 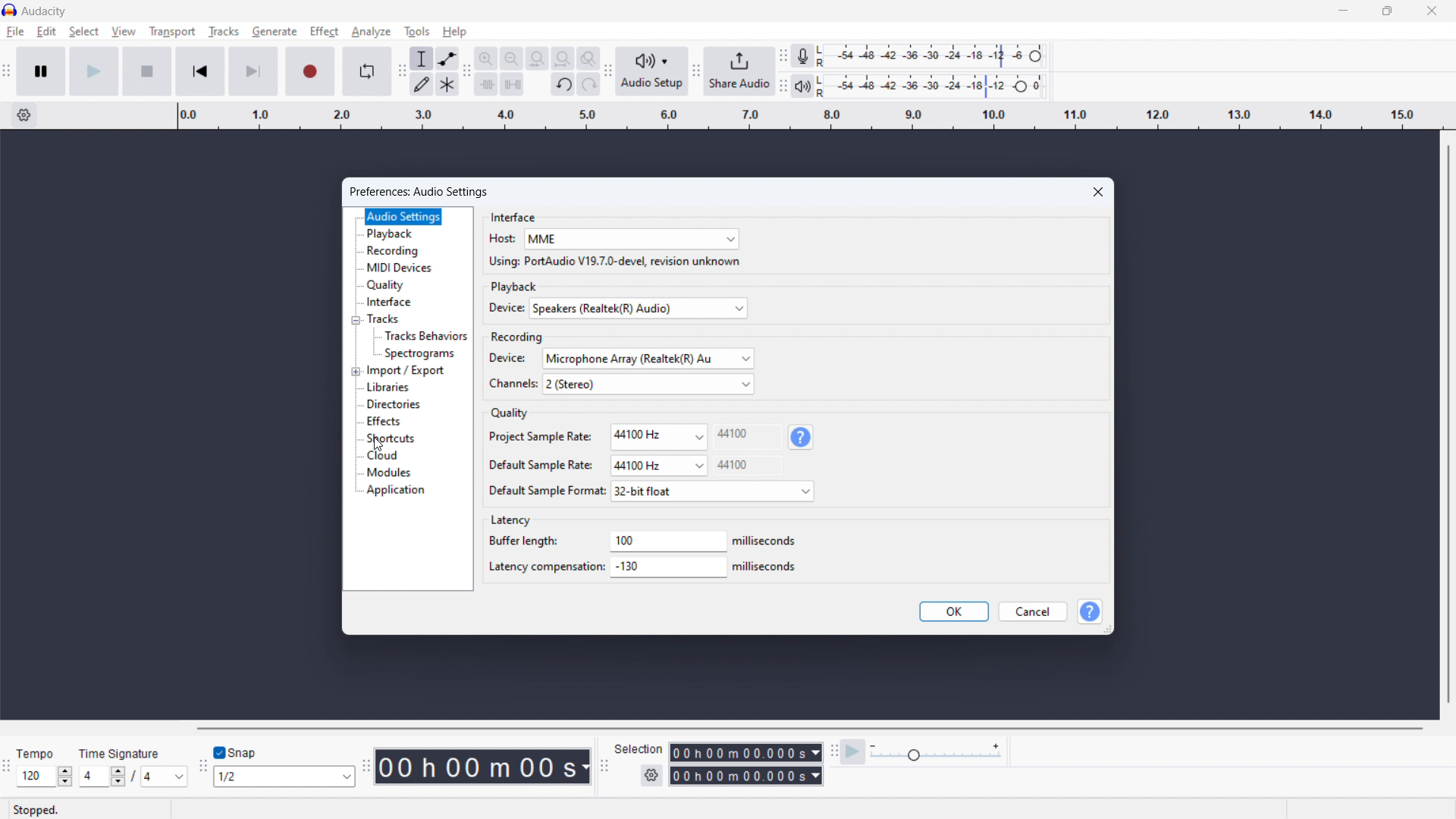 What do you see at coordinates (234, 752) in the screenshot?
I see `toggle snap` at bounding box center [234, 752].